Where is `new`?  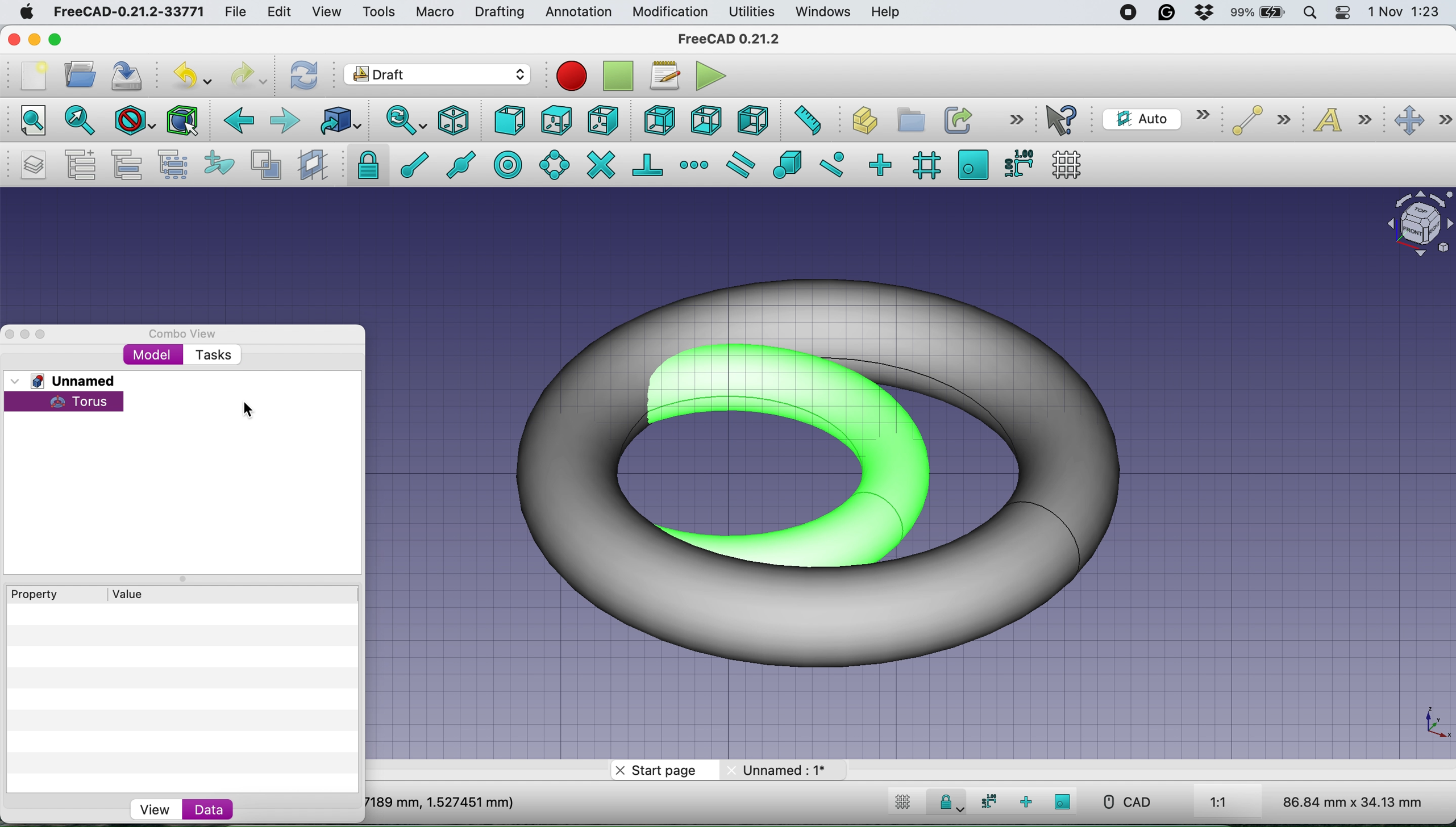
new is located at coordinates (32, 76).